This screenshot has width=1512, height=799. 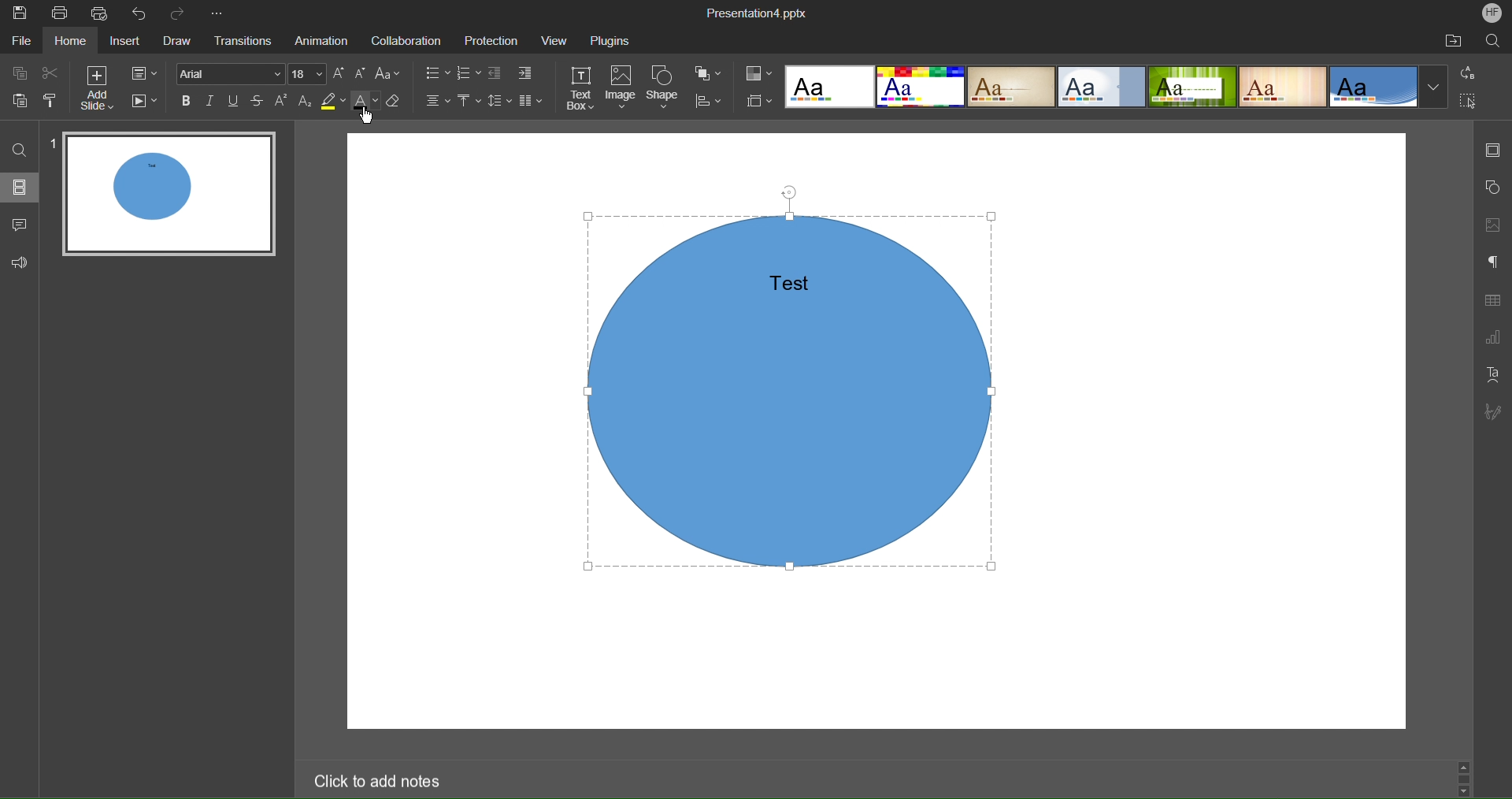 What do you see at coordinates (258, 102) in the screenshot?
I see `Strikethrough` at bounding box center [258, 102].